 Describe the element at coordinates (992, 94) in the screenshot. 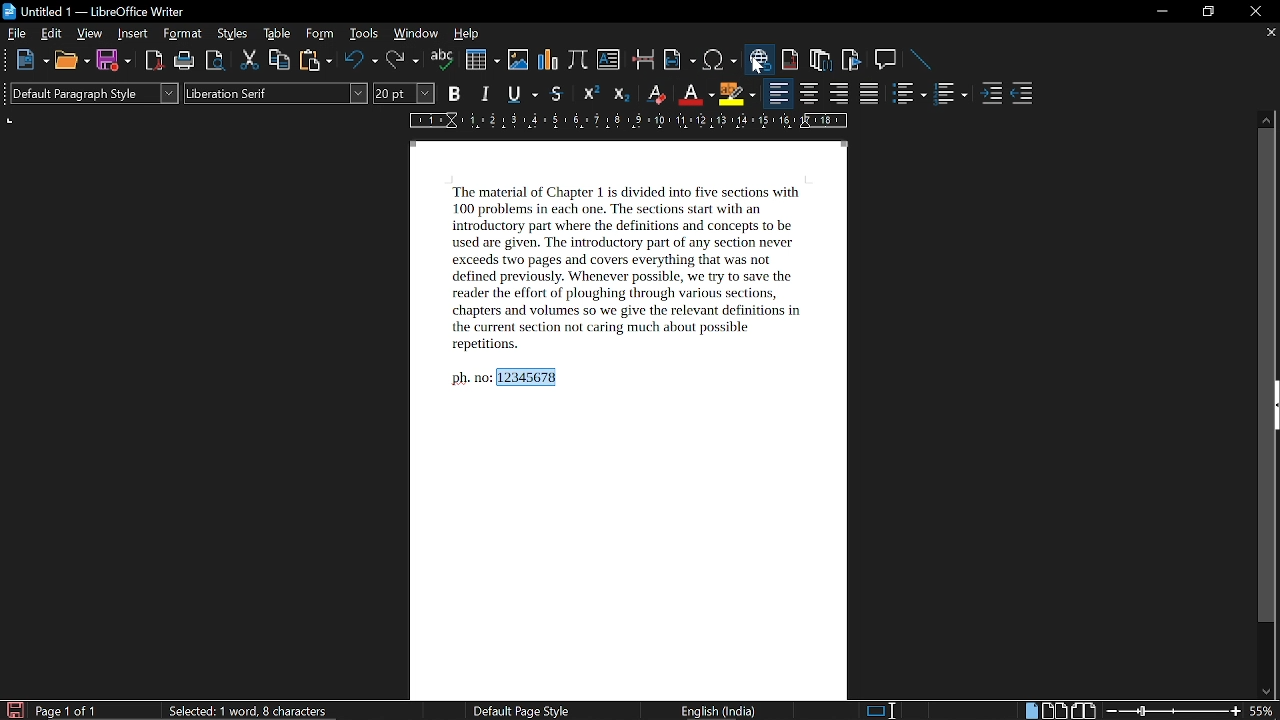

I see `increase indent` at that location.